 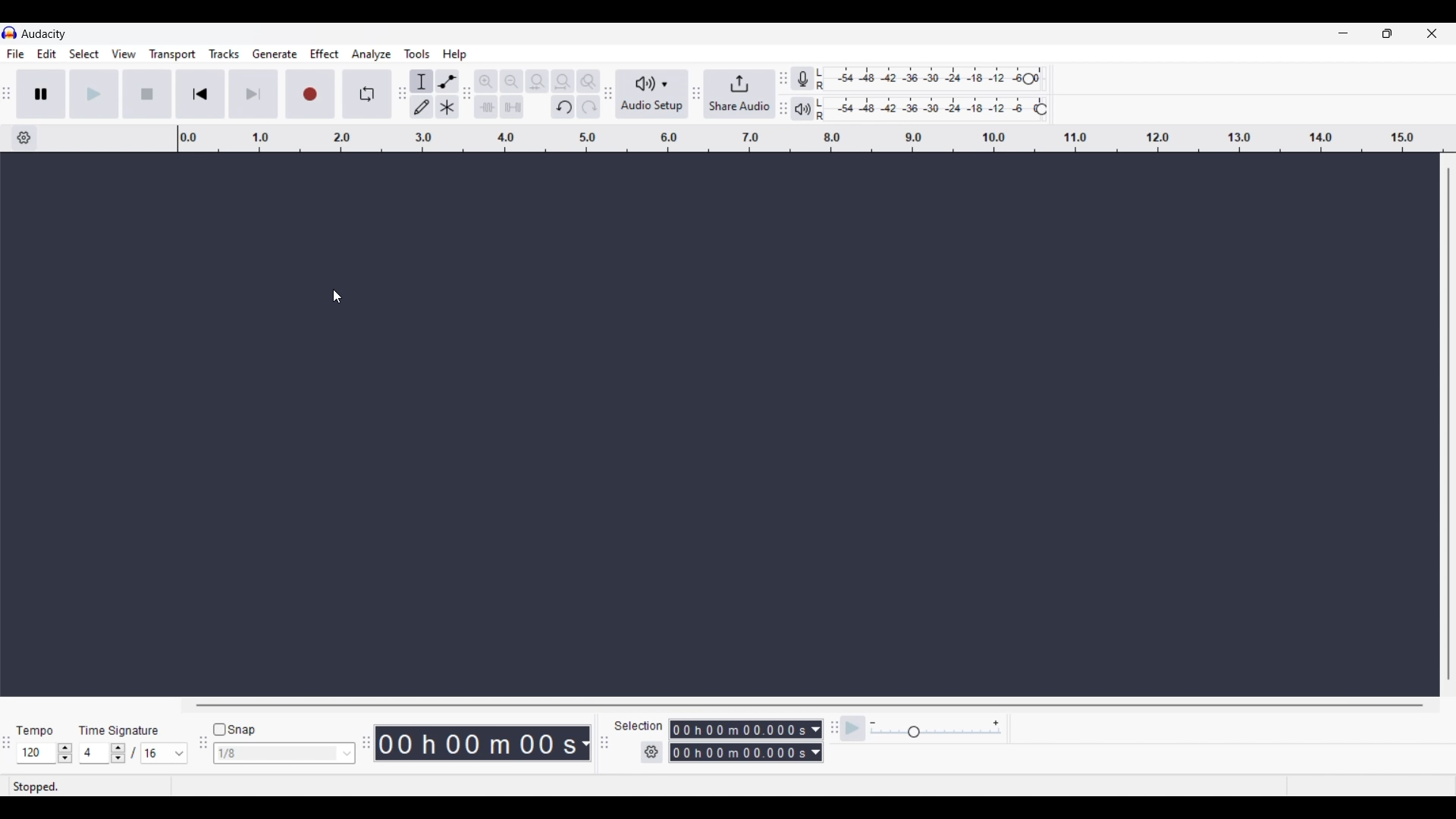 What do you see at coordinates (936, 733) in the screenshot?
I see `Slider to change playback speed` at bounding box center [936, 733].